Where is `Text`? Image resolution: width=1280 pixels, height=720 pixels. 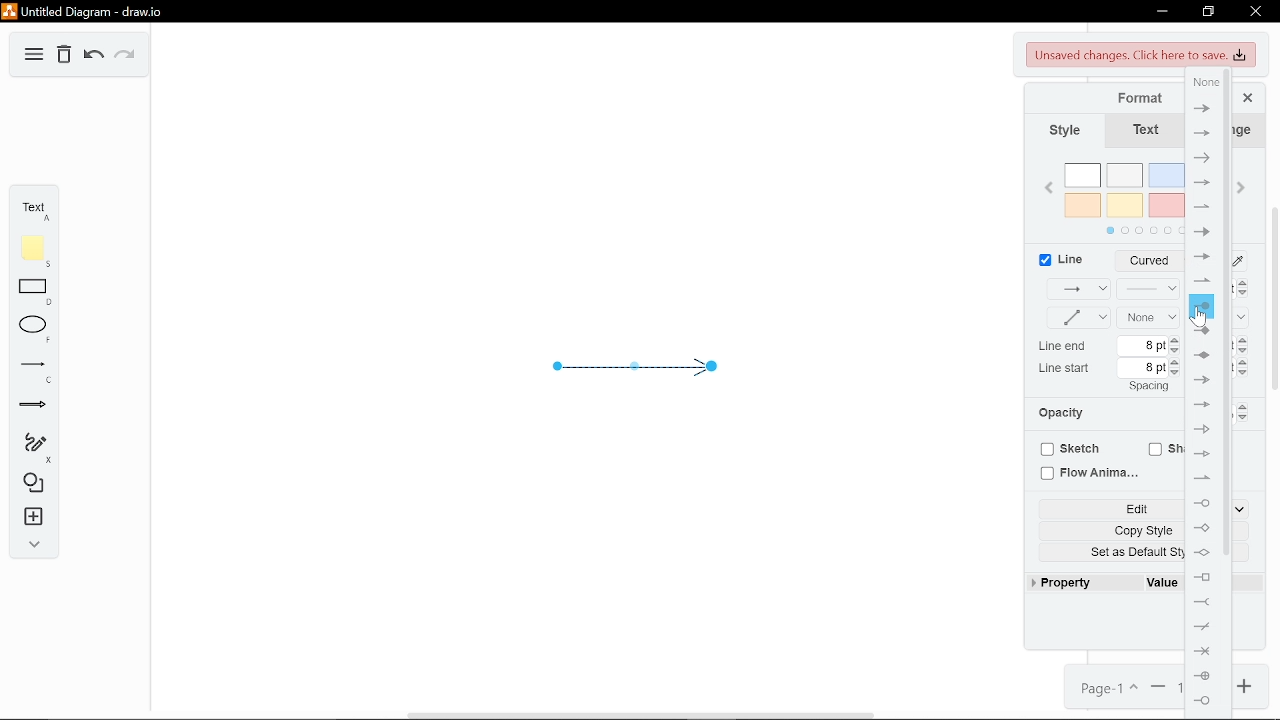
Text is located at coordinates (32, 208).